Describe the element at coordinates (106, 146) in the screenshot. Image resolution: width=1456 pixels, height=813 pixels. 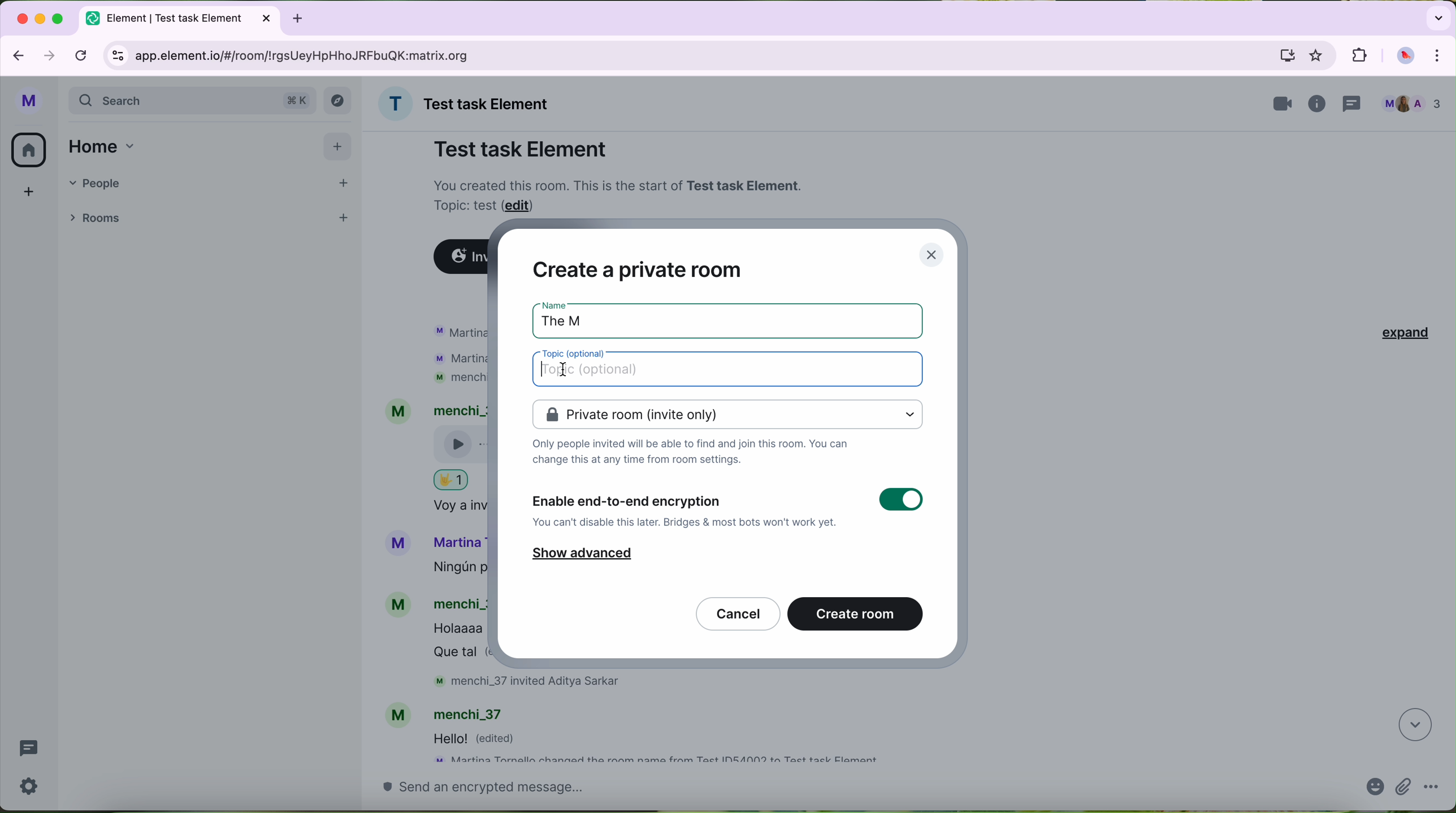
I see `home tab` at that location.